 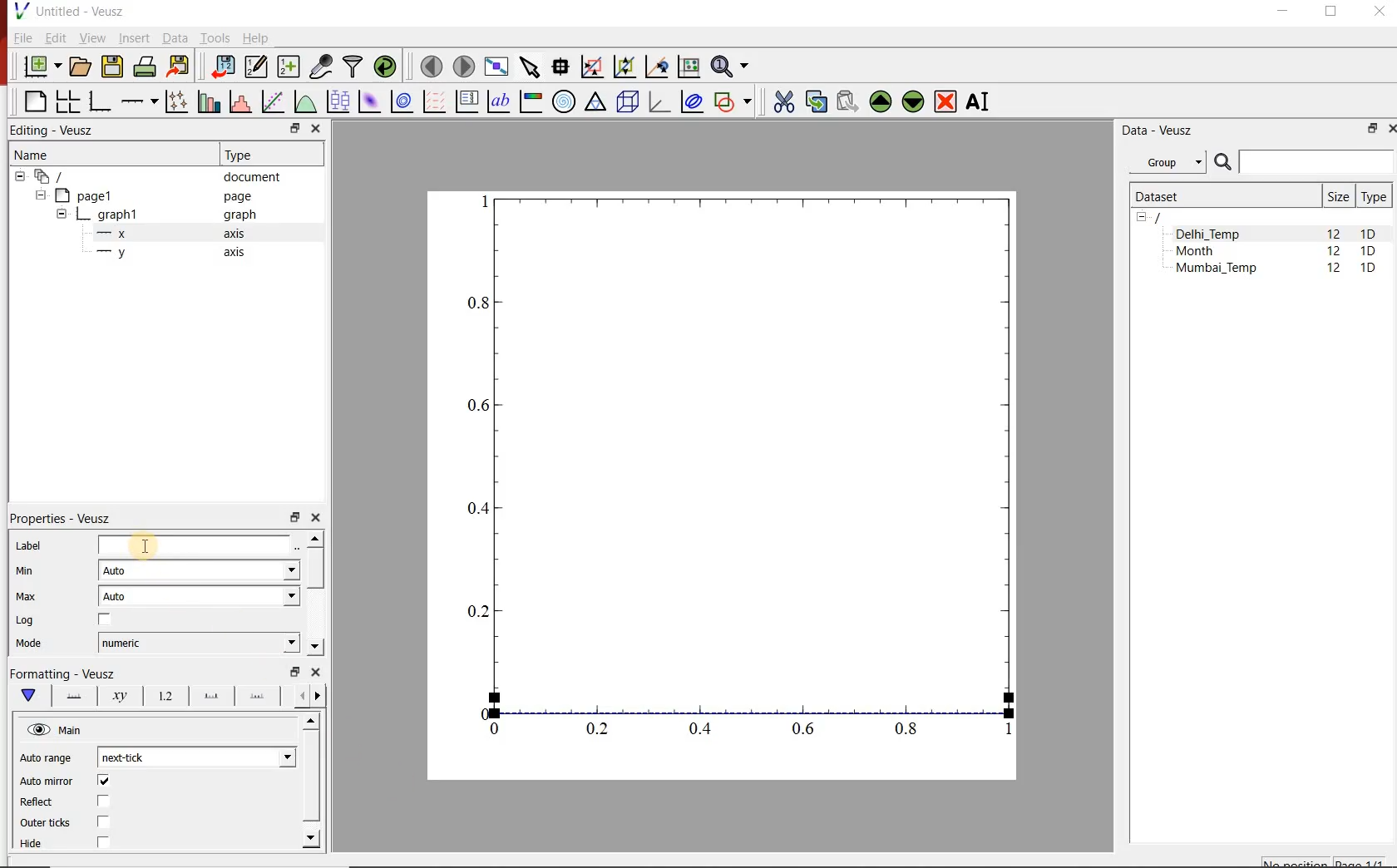 What do you see at coordinates (595, 103) in the screenshot?
I see `Ternary graph` at bounding box center [595, 103].